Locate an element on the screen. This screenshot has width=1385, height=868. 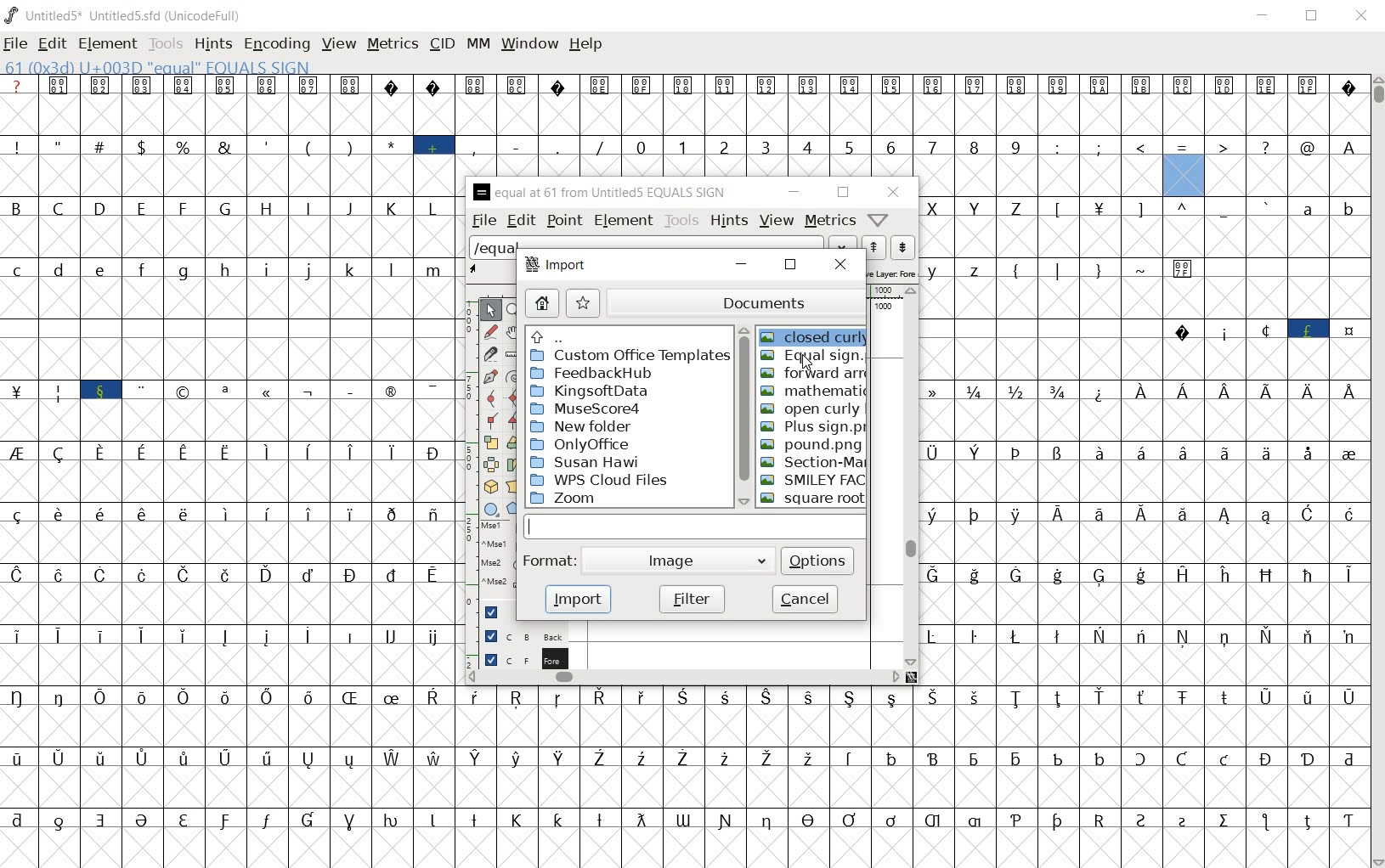
edit is located at coordinates (52, 43).